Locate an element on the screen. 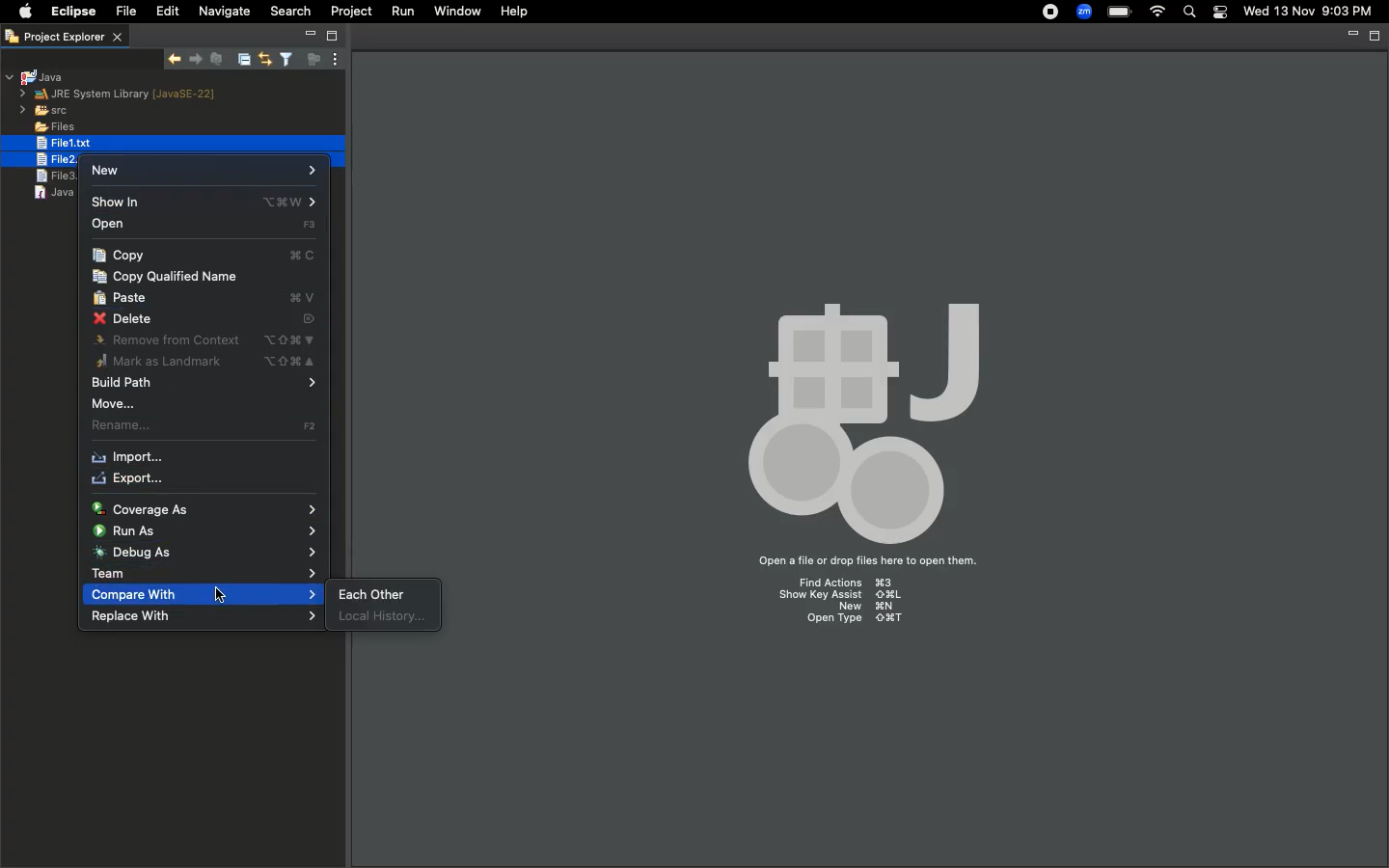  Run as is located at coordinates (205, 530).